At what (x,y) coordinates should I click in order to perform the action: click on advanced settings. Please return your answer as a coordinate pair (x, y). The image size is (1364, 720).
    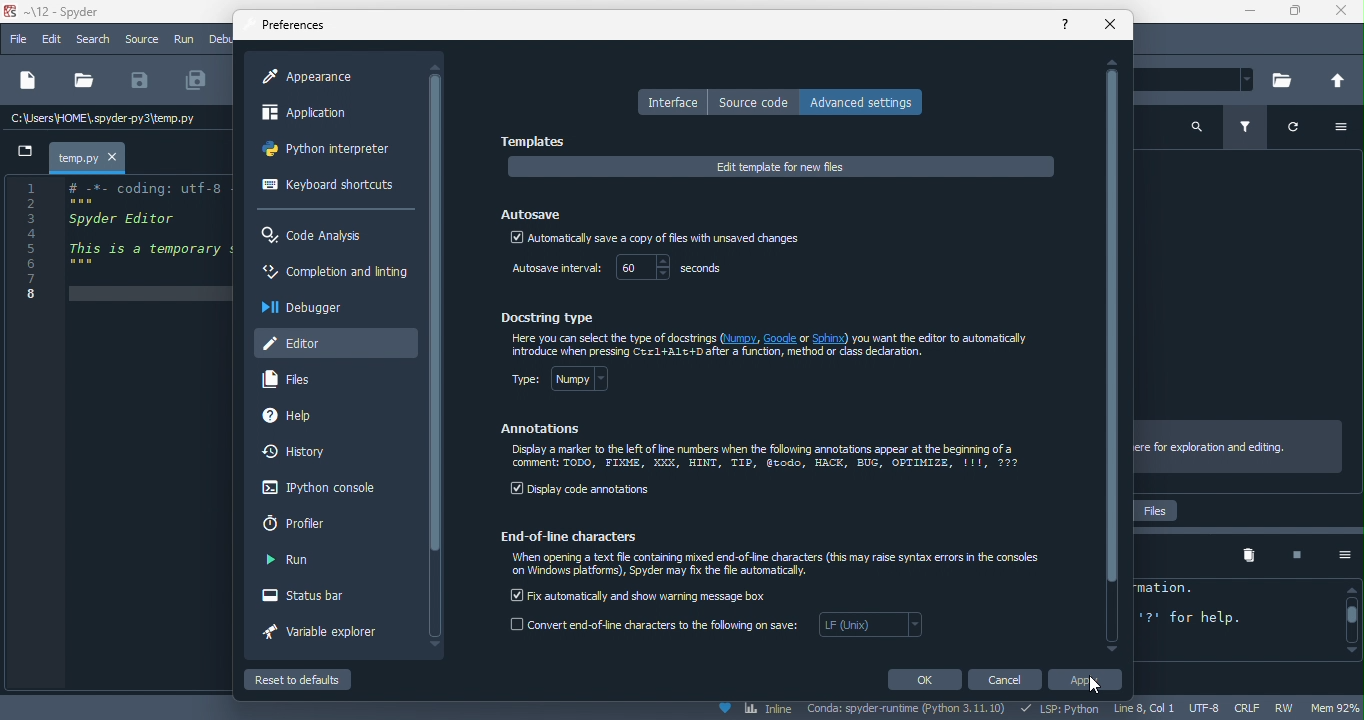
    Looking at the image, I should click on (867, 101).